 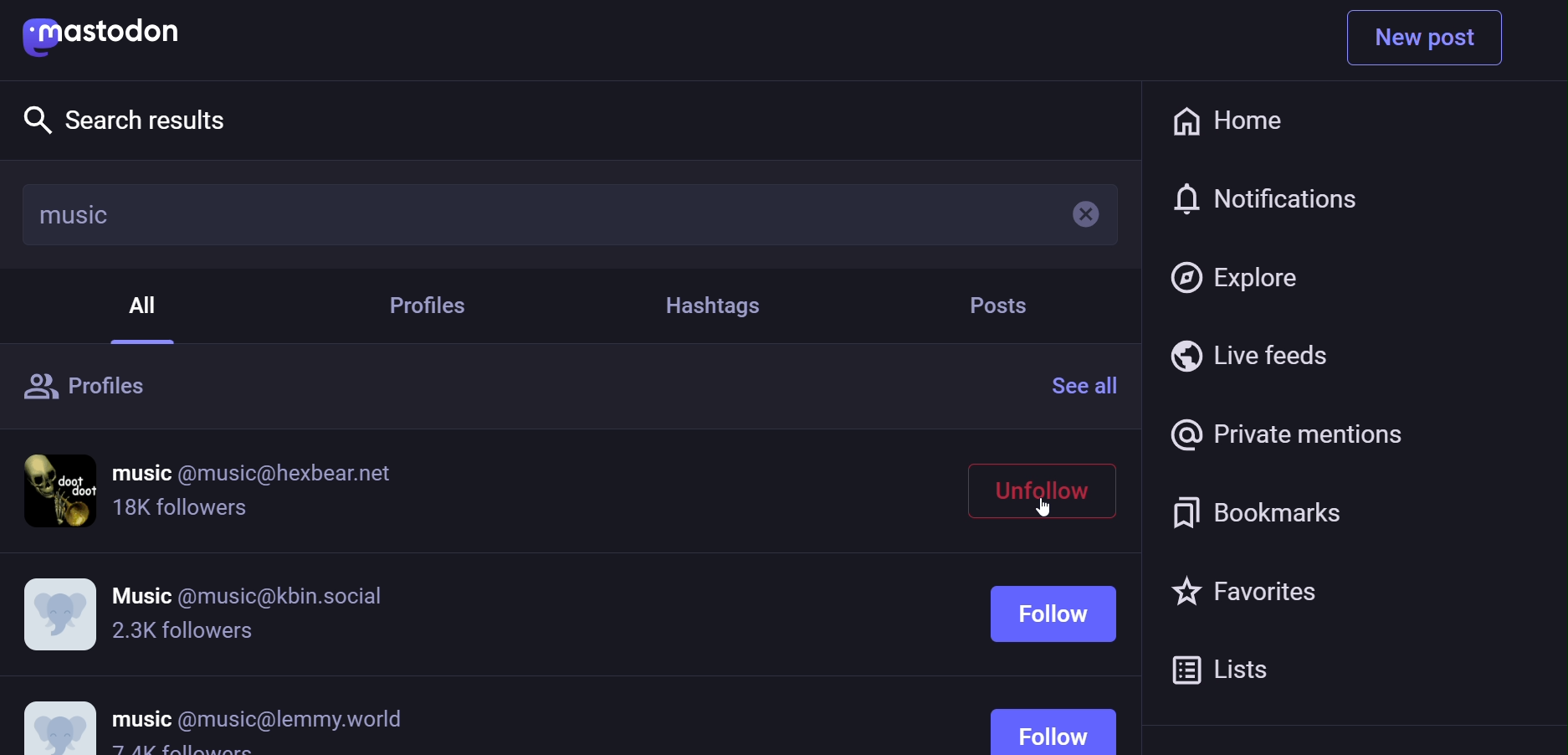 I want to click on display picture, so click(x=59, y=718).